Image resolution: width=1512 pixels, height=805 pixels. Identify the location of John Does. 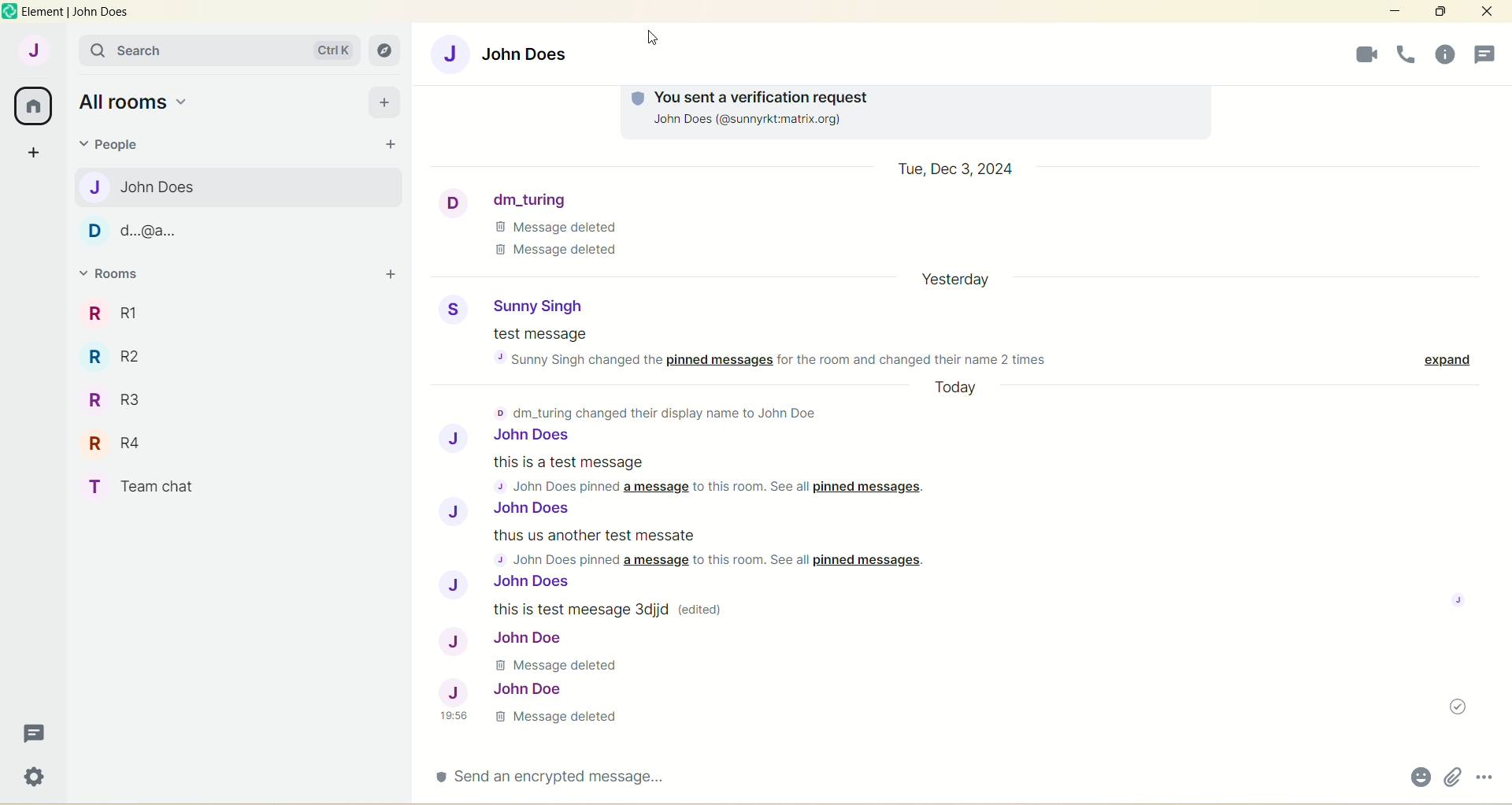
(148, 187).